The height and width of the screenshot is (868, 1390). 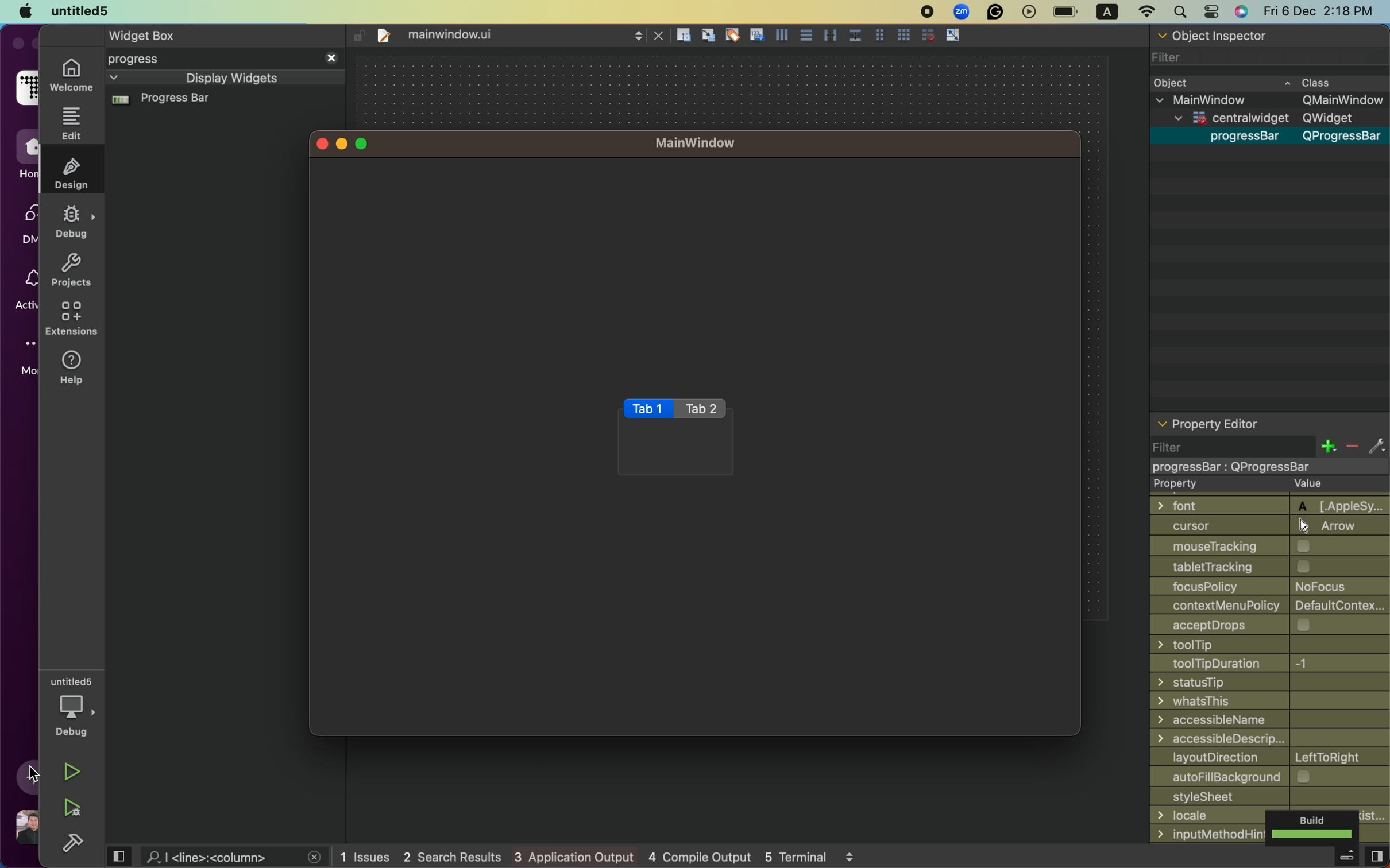 I want to click on close, so click(x=321, y=145).